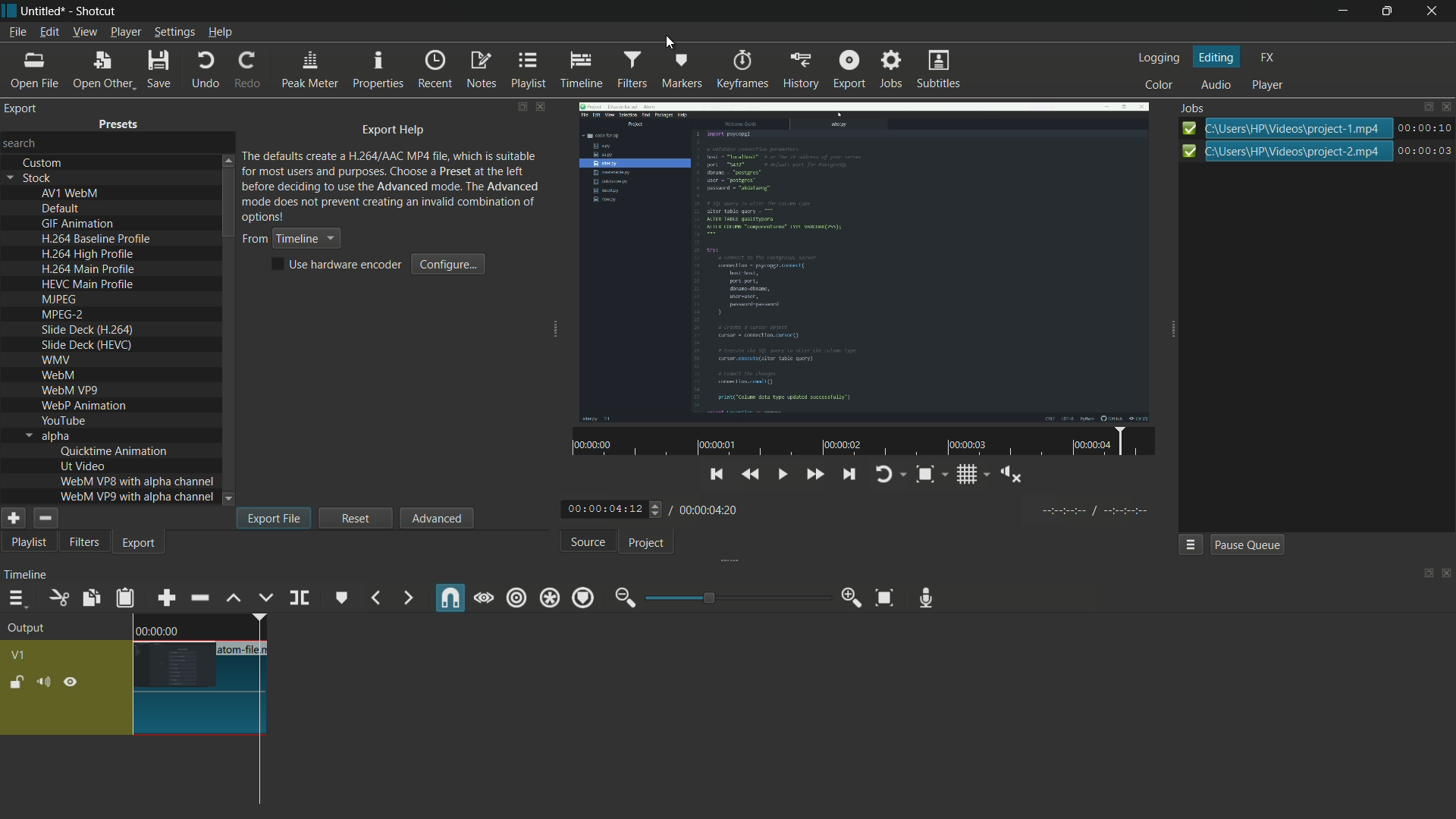 The height and width of the screenshot is (819, 1456). What do you see at coordinates (483, 70) in the screenshot?
I see `notes` at bounding box center [483, 70].